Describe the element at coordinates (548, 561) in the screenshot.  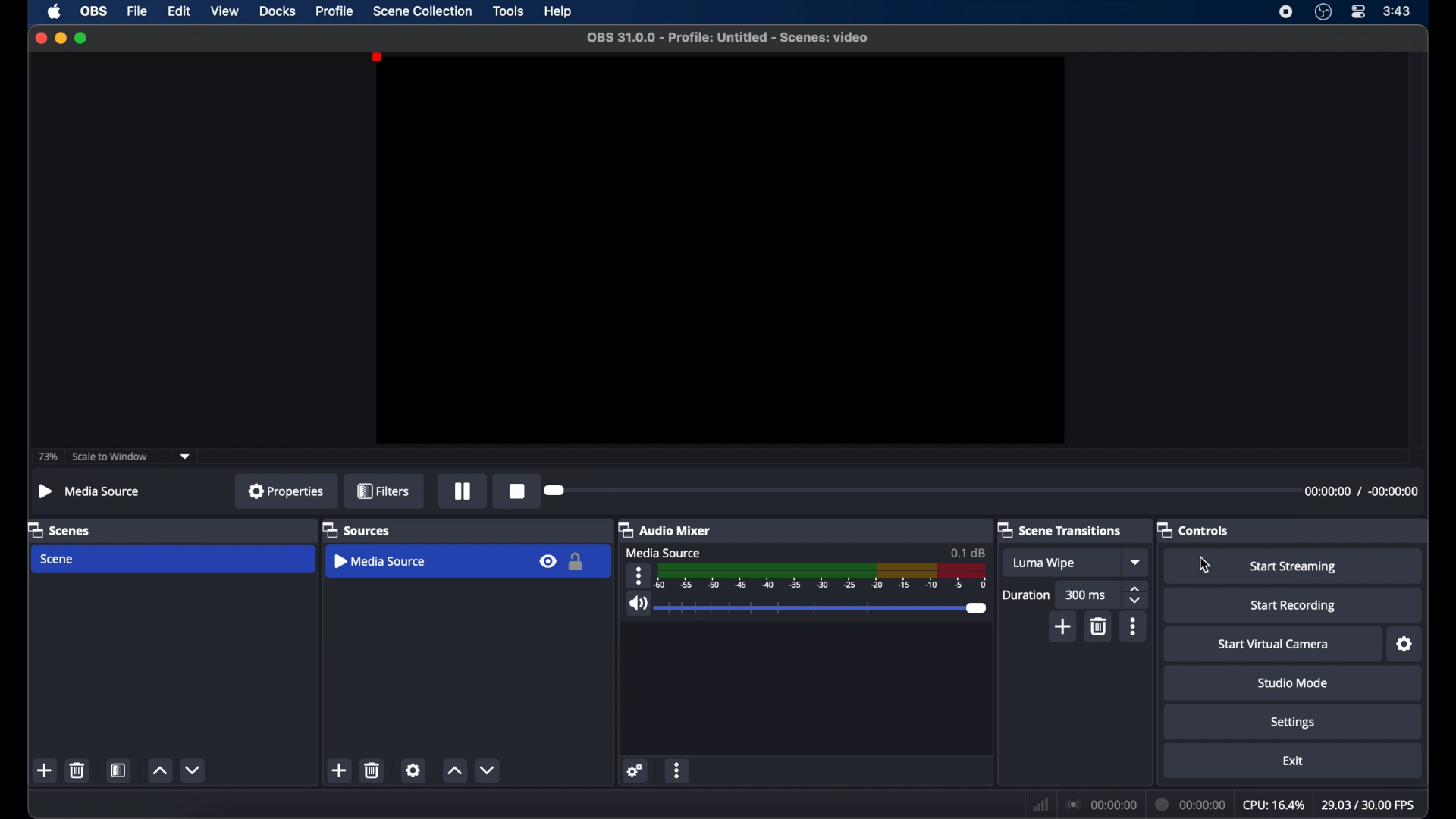
I see `visbility icon` at that location.